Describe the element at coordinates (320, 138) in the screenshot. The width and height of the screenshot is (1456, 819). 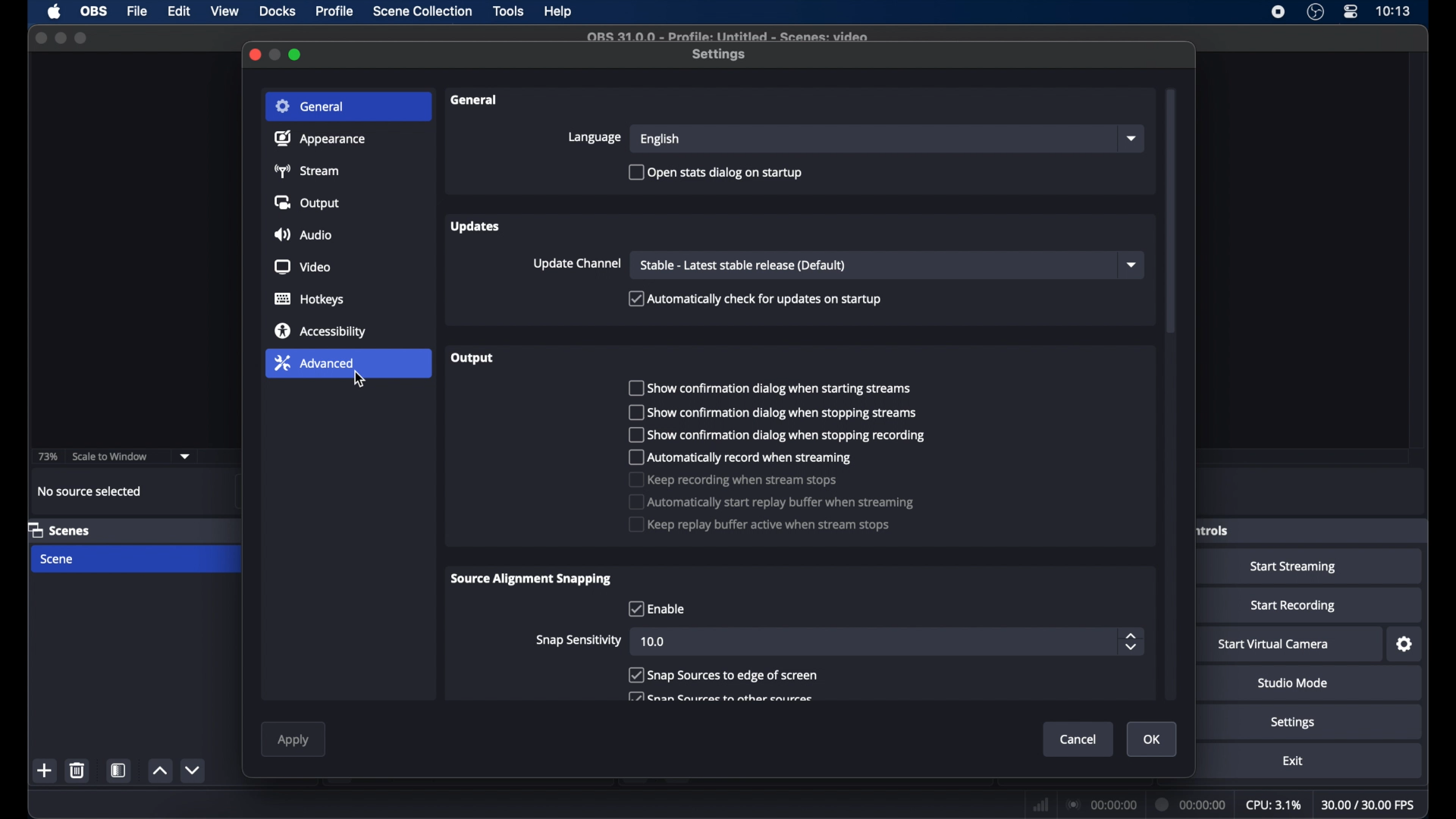
I see `appearance` at that location.